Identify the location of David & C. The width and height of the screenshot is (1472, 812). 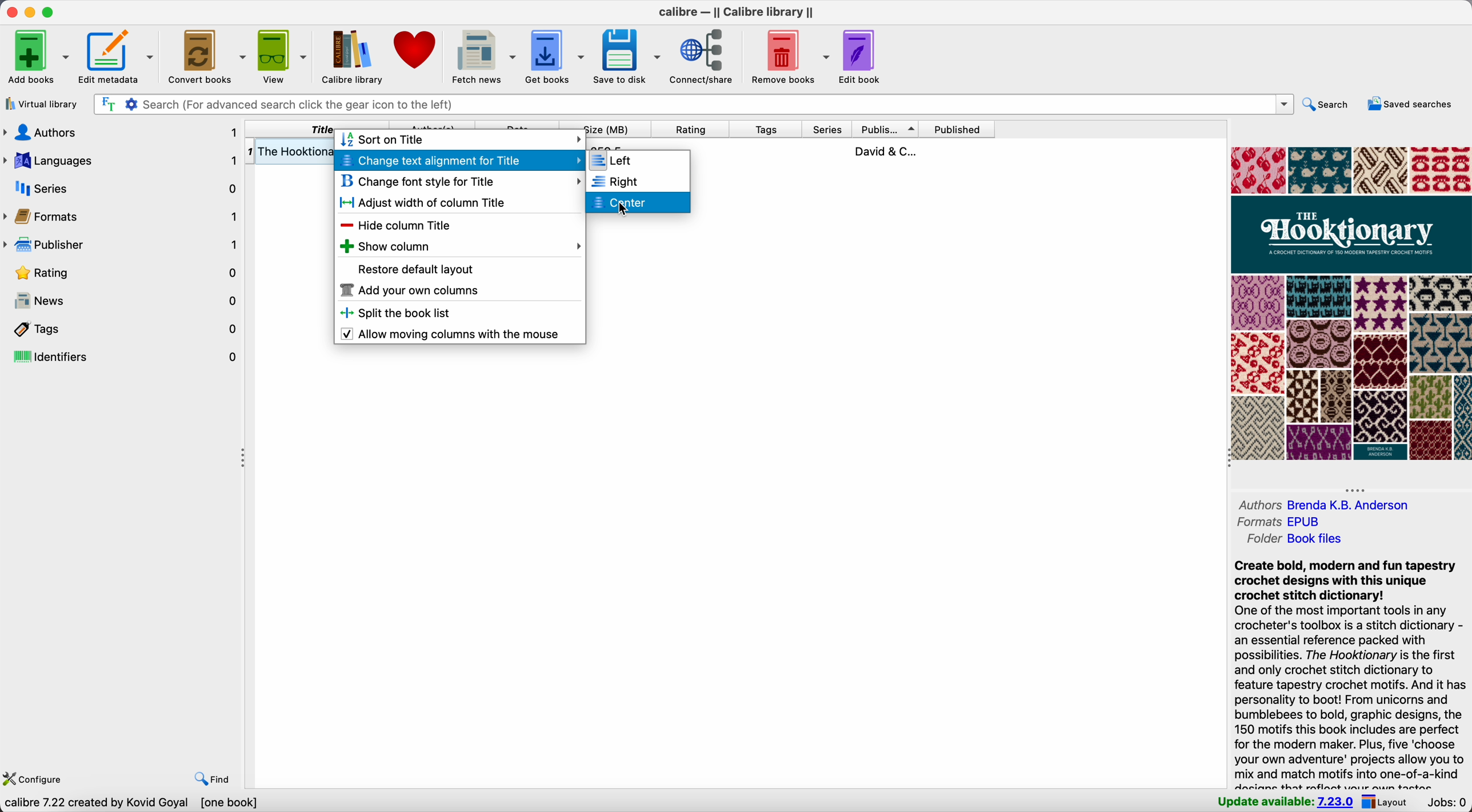
(884, 150).